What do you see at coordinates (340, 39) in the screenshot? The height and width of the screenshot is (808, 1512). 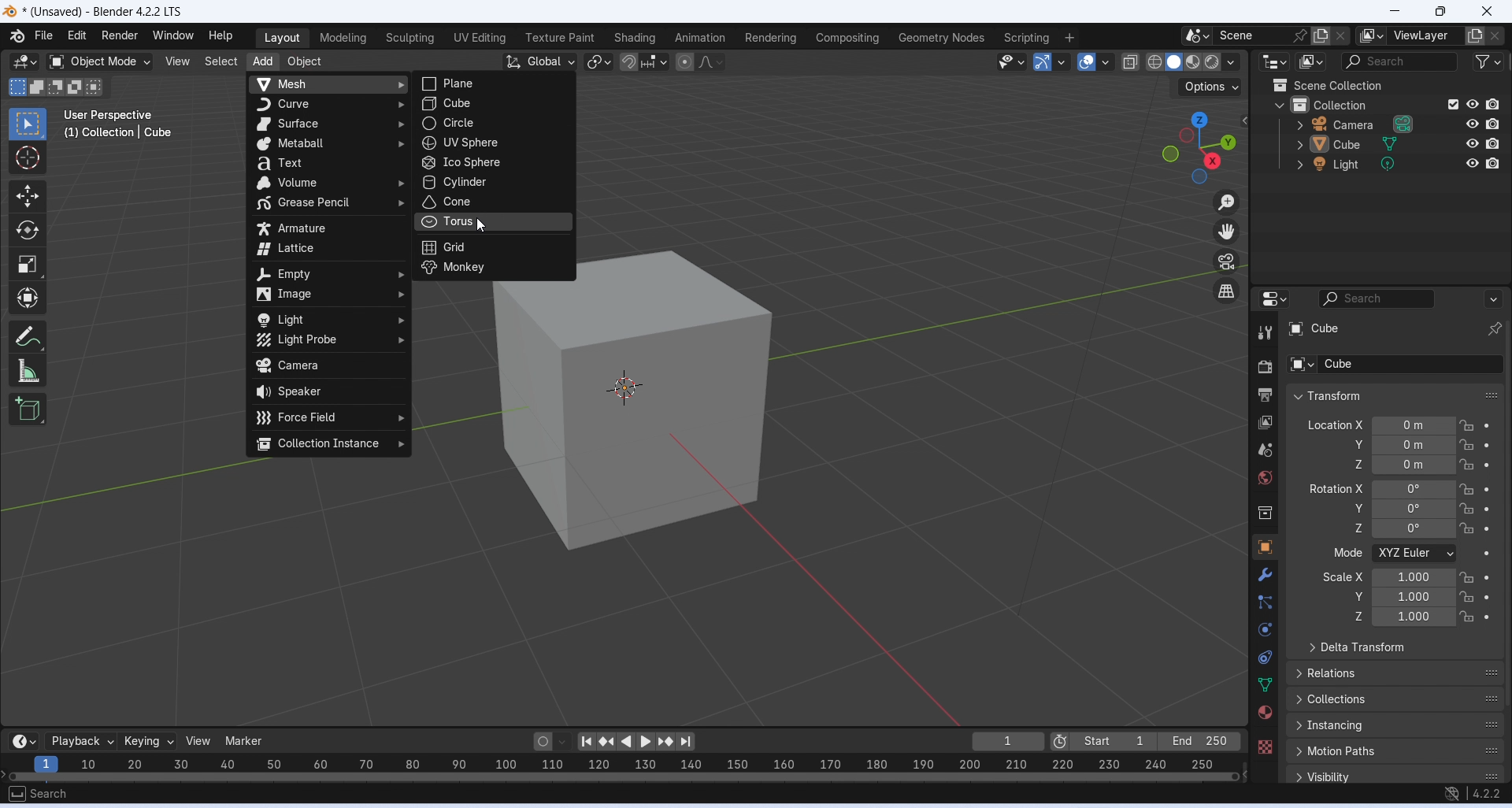 I see `Modeling` at bounding box center [340, 39].